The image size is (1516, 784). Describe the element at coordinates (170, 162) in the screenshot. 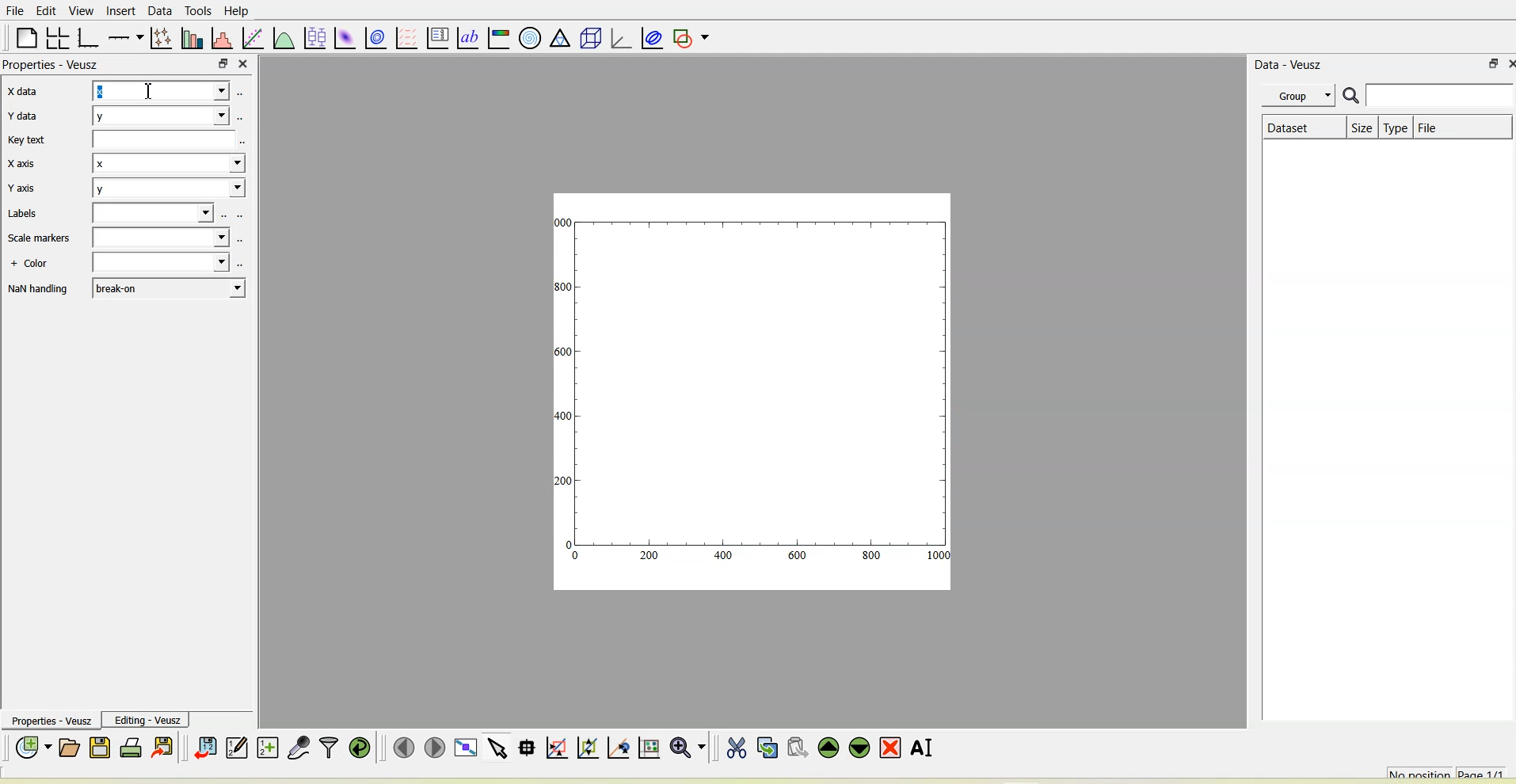

I see `x` at that location.